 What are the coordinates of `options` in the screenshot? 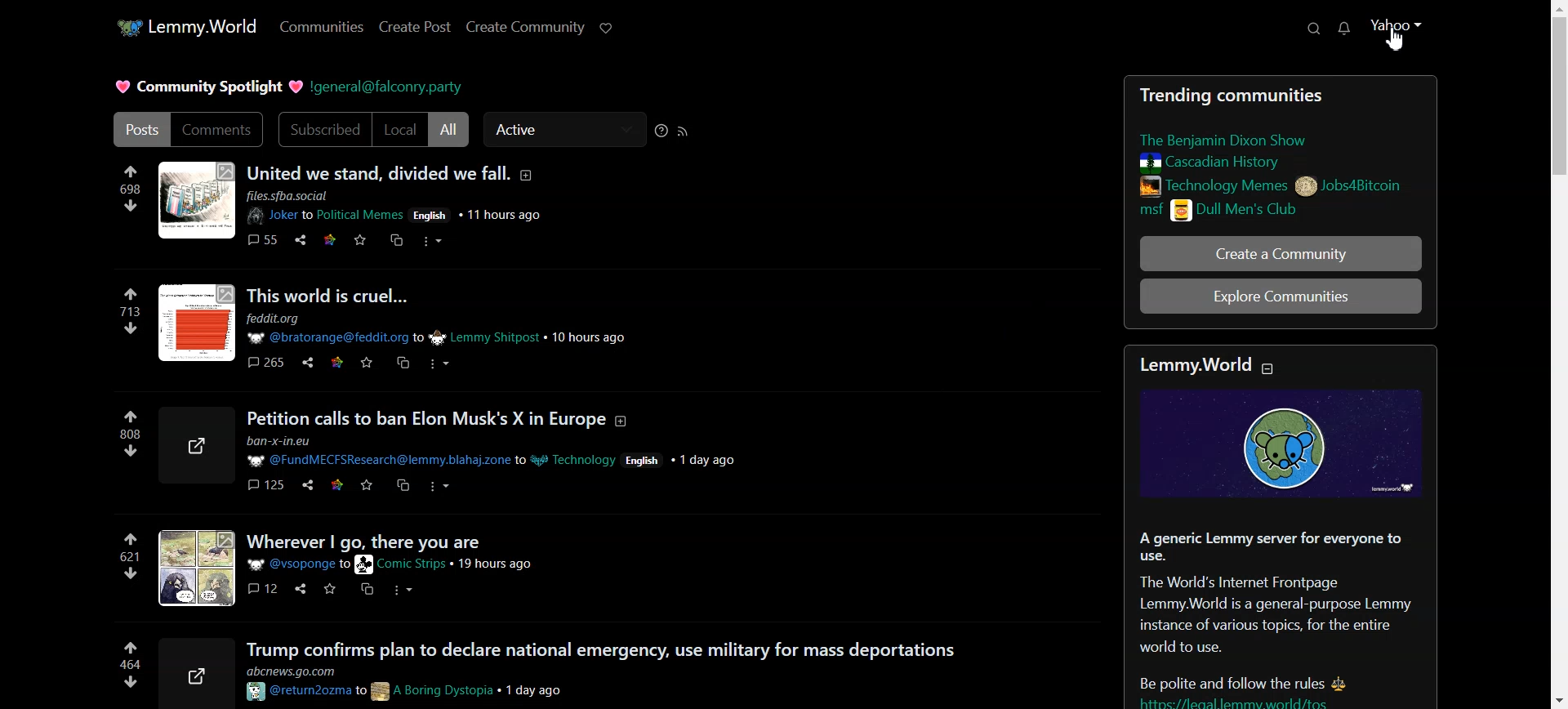 It's located at (445, 243).